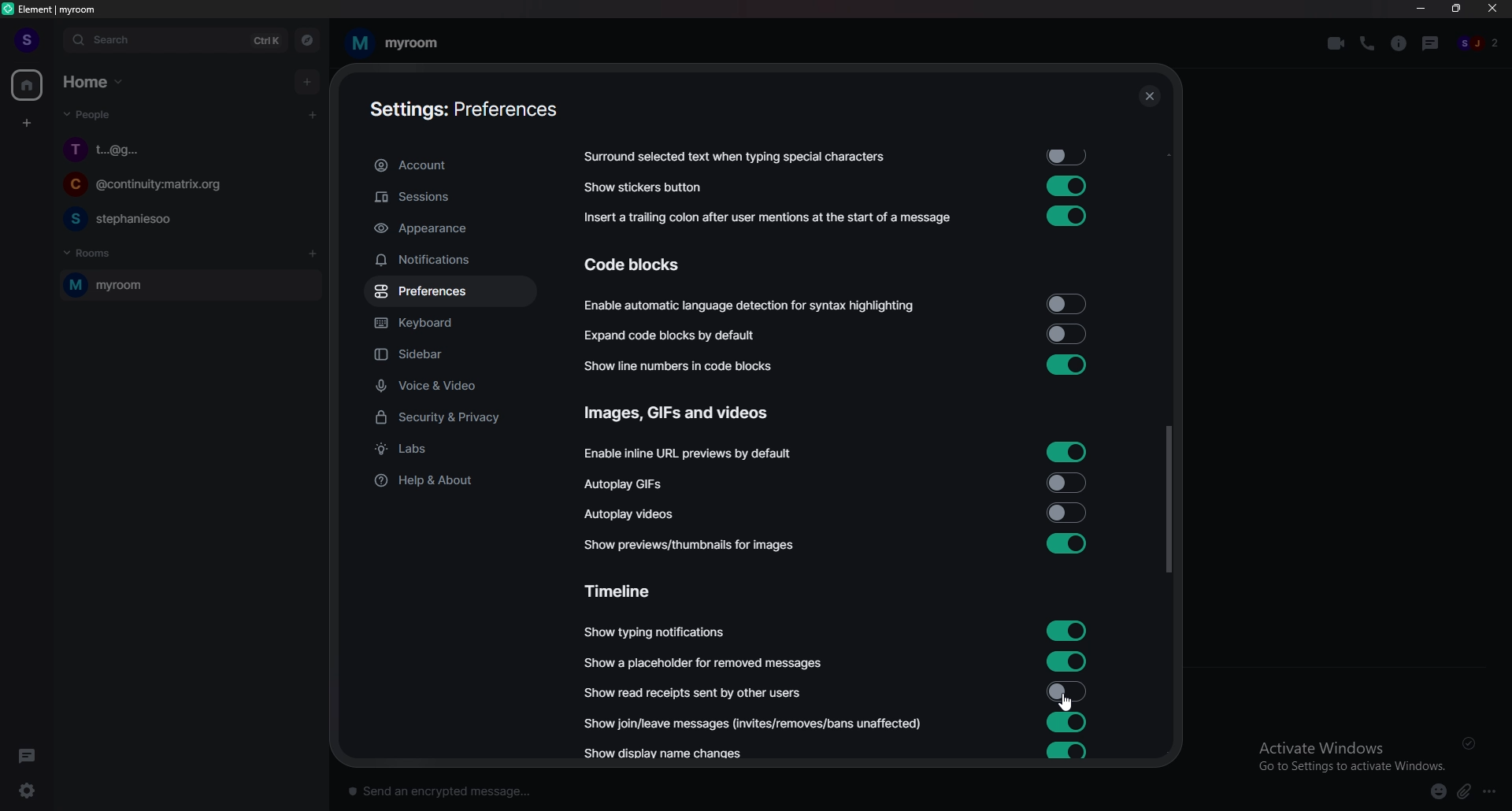  What do you see at coordinates (1064, 334) in the screenshot?
I see `toggle` at bounding box center [1064, 334].